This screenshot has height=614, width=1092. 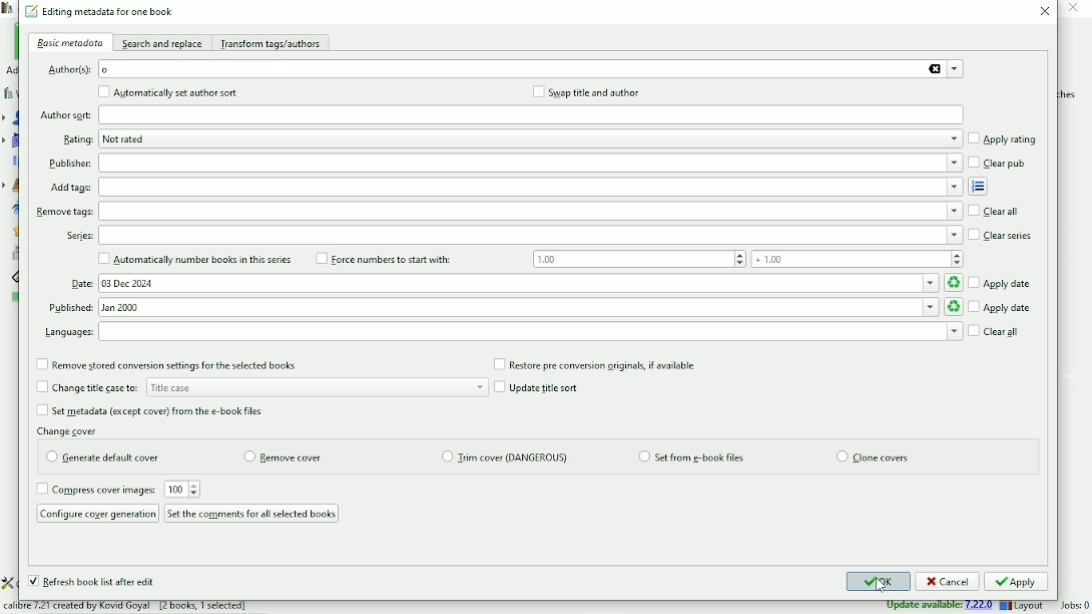 What do you see at coordinates (876, 583) in the screenshot?
I see `OK` at bounding box center [876, 583].